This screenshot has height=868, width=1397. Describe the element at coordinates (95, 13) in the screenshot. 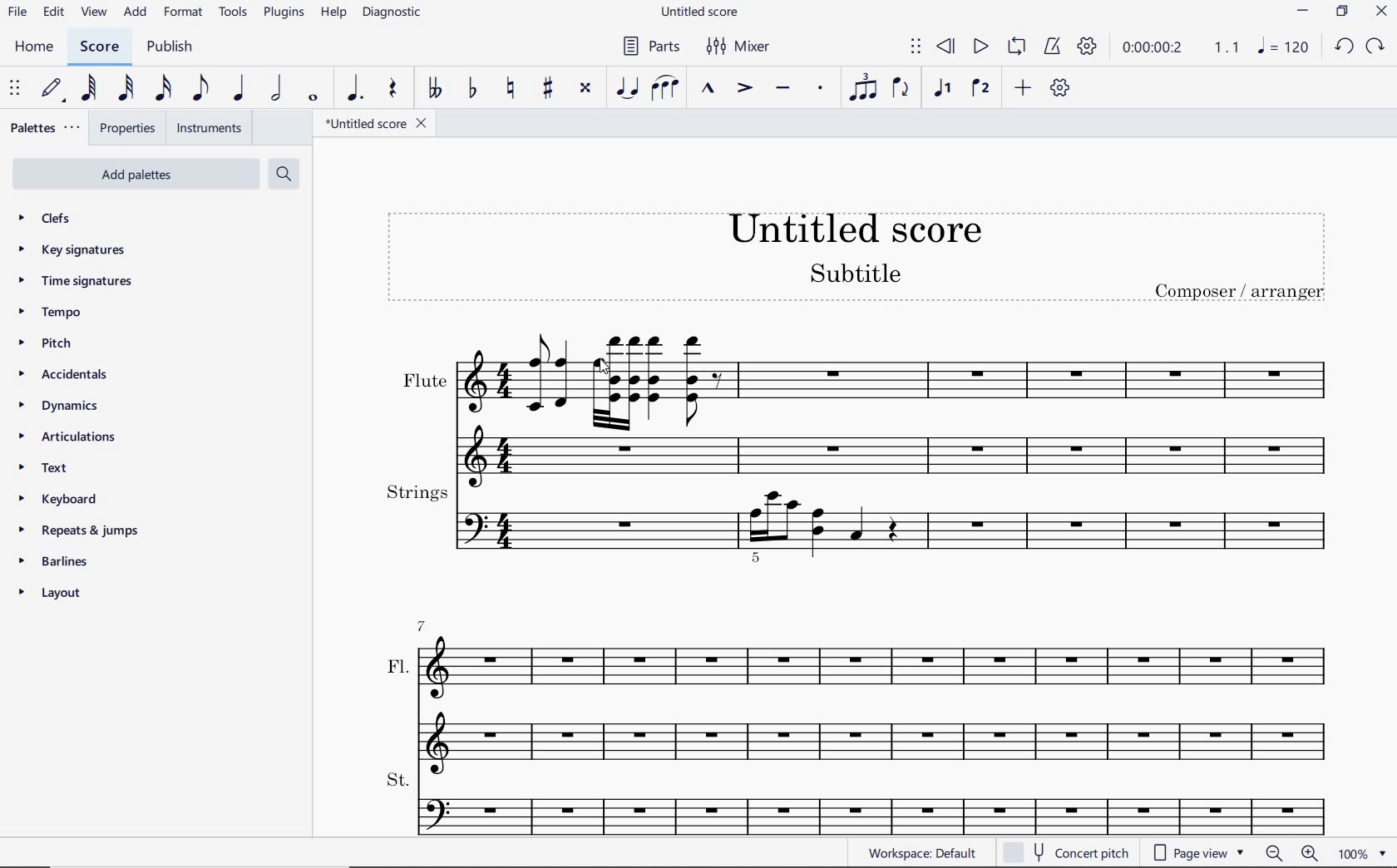

I see `view` at that location.